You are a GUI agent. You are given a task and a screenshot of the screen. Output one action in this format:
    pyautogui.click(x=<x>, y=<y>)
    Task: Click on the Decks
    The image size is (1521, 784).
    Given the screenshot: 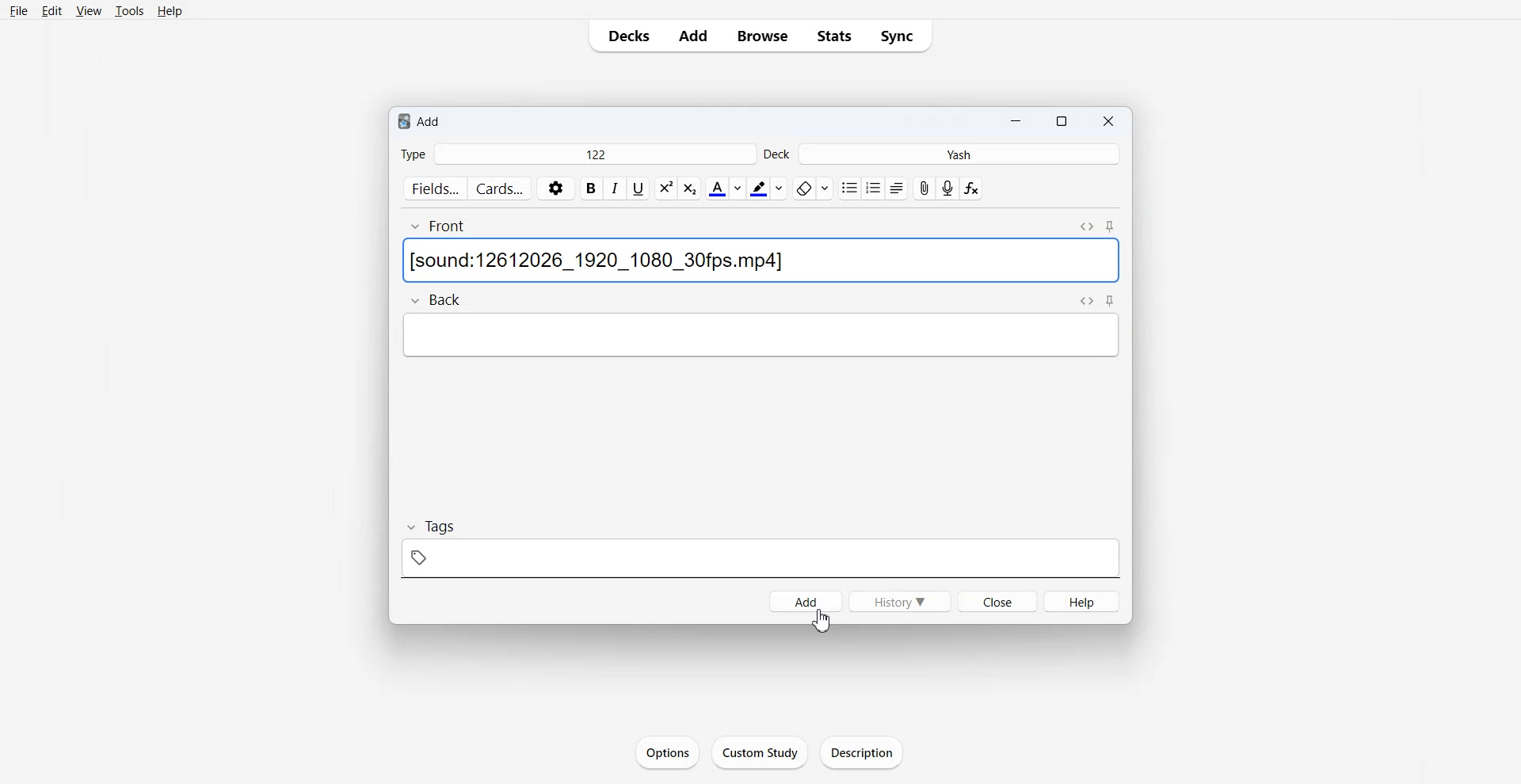 What is the action you would take?
    pyautogui.click(x=627, y=36)
    